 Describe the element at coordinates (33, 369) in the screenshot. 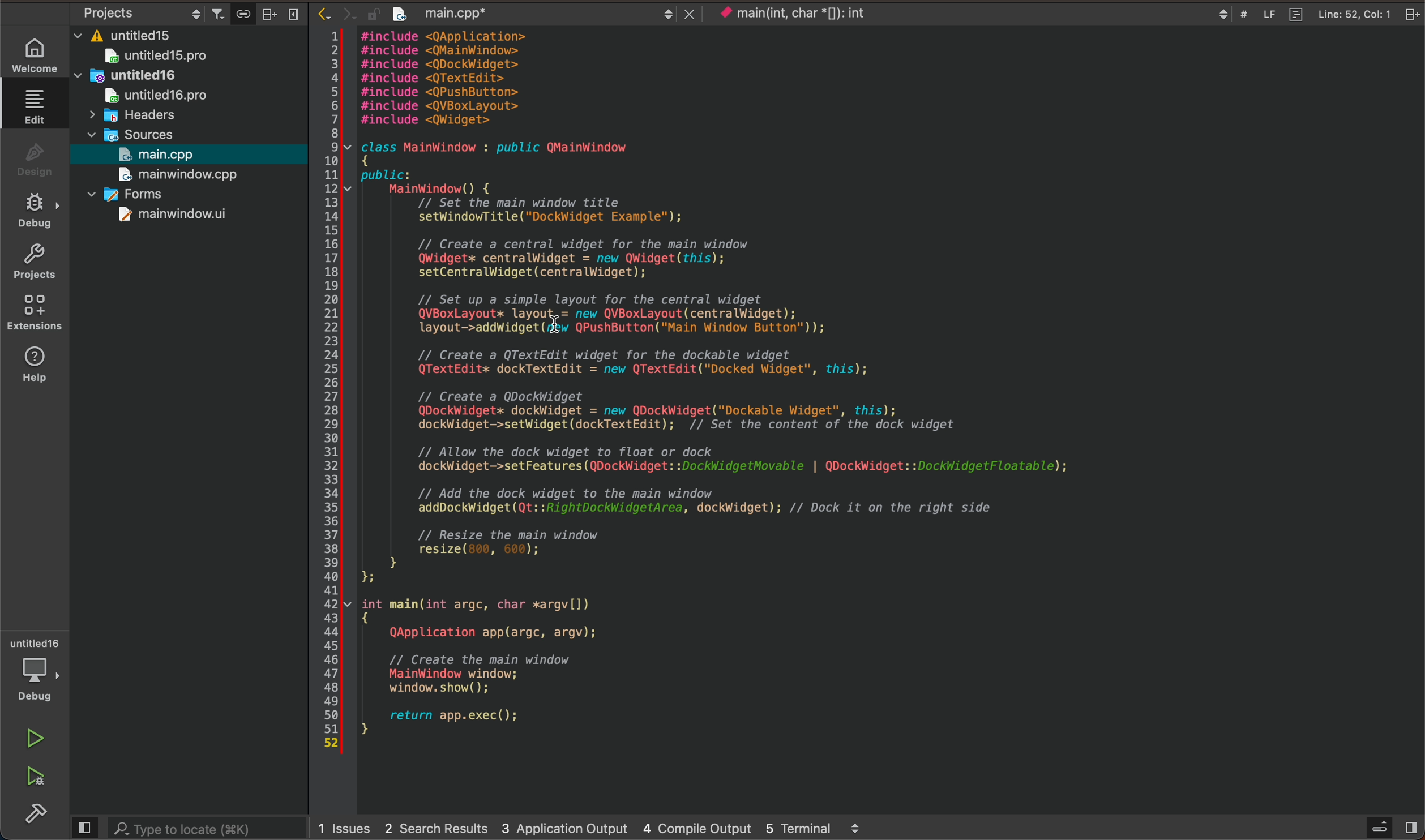

I see `help` at that location.